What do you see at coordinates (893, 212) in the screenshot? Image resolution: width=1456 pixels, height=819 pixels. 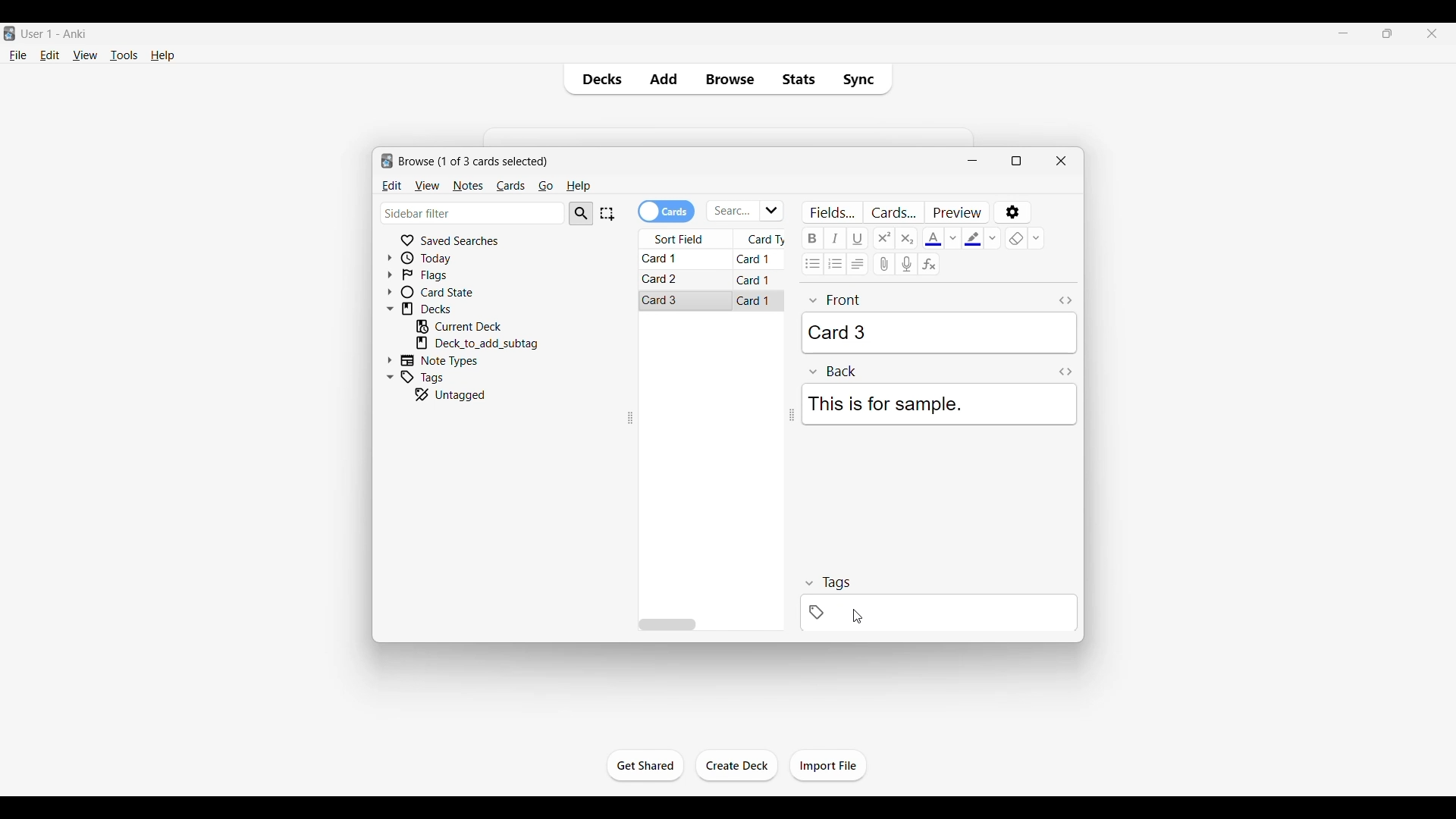 I see `Customize card templates` at bounding box center [893, 212].